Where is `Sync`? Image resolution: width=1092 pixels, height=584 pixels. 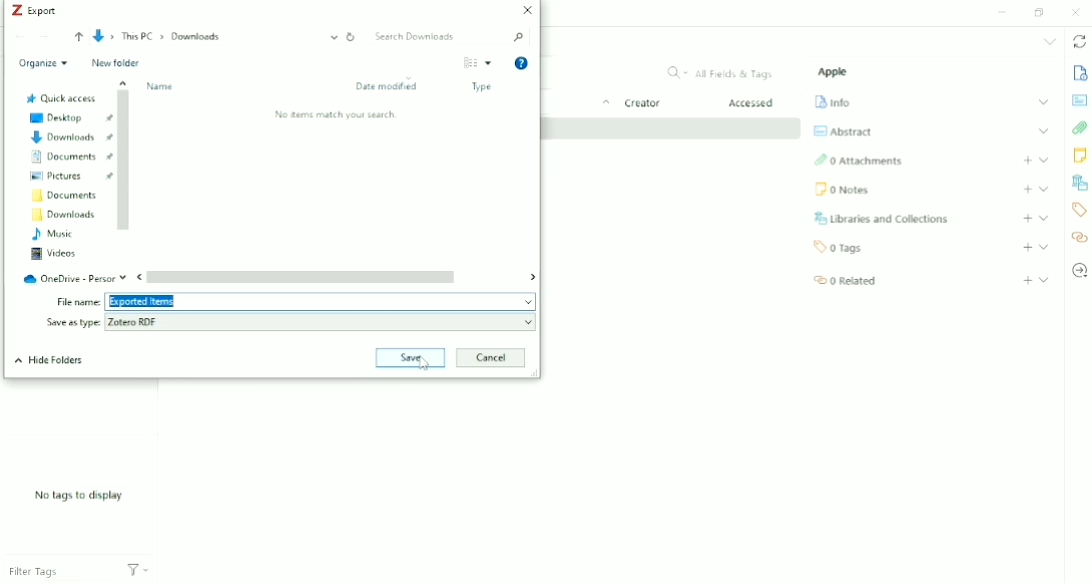 Sync is located at coordinates (1078, 42).